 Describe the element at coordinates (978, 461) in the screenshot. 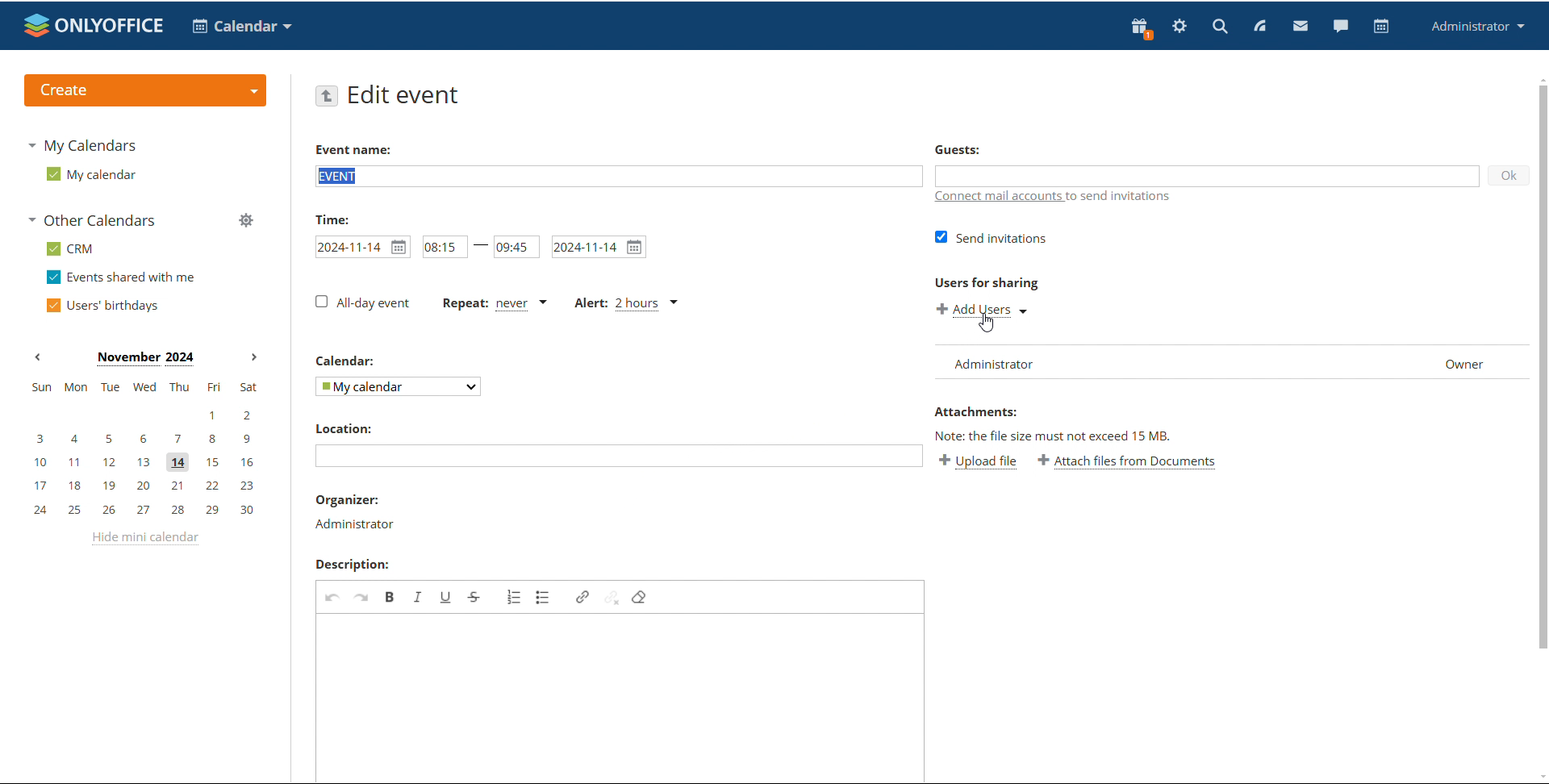

I see `upload file` at that location.